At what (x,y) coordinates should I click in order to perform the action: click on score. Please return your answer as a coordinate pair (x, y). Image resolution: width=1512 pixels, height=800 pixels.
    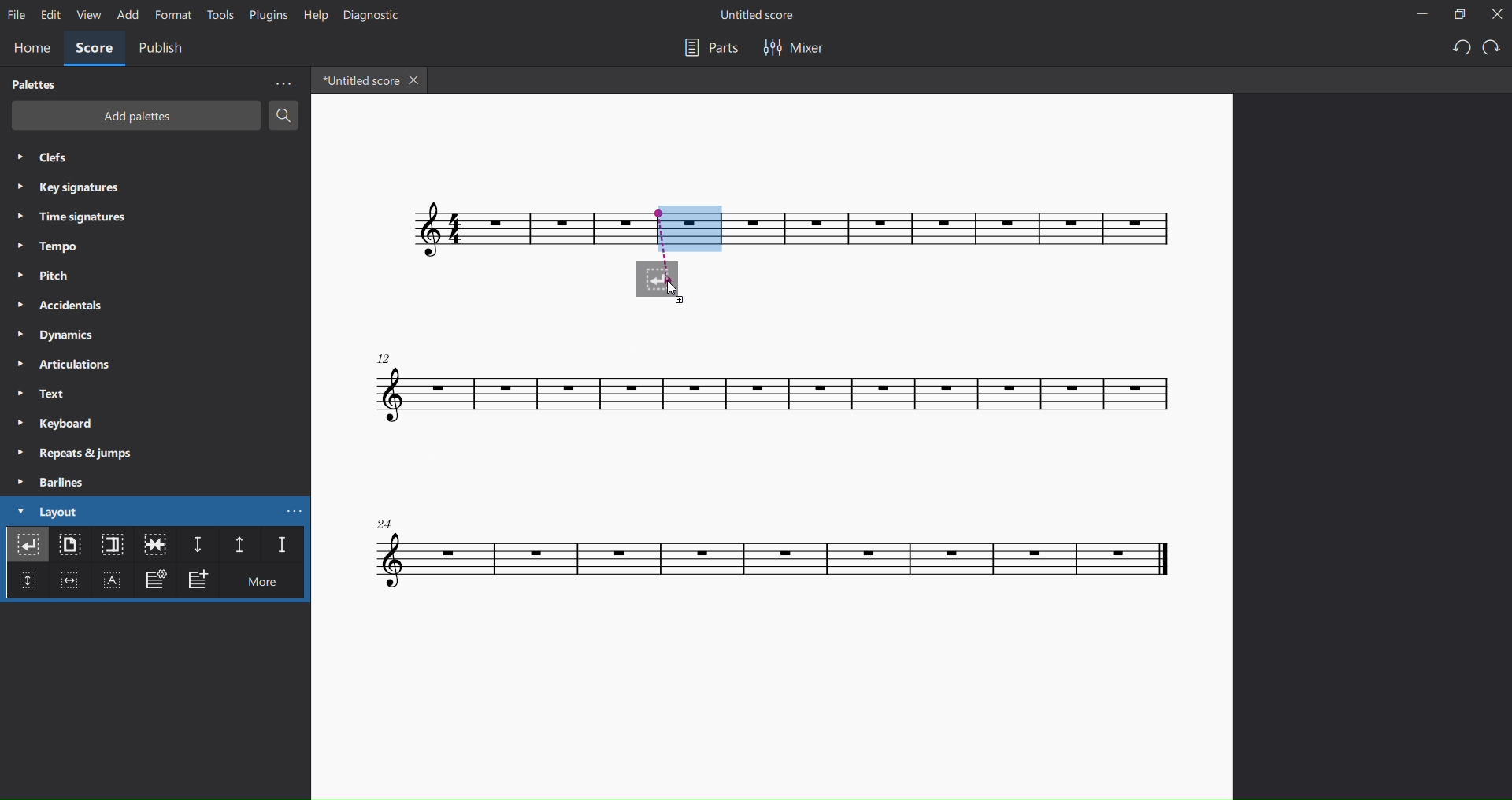
    Looking at the image, I should click on (963, 228).